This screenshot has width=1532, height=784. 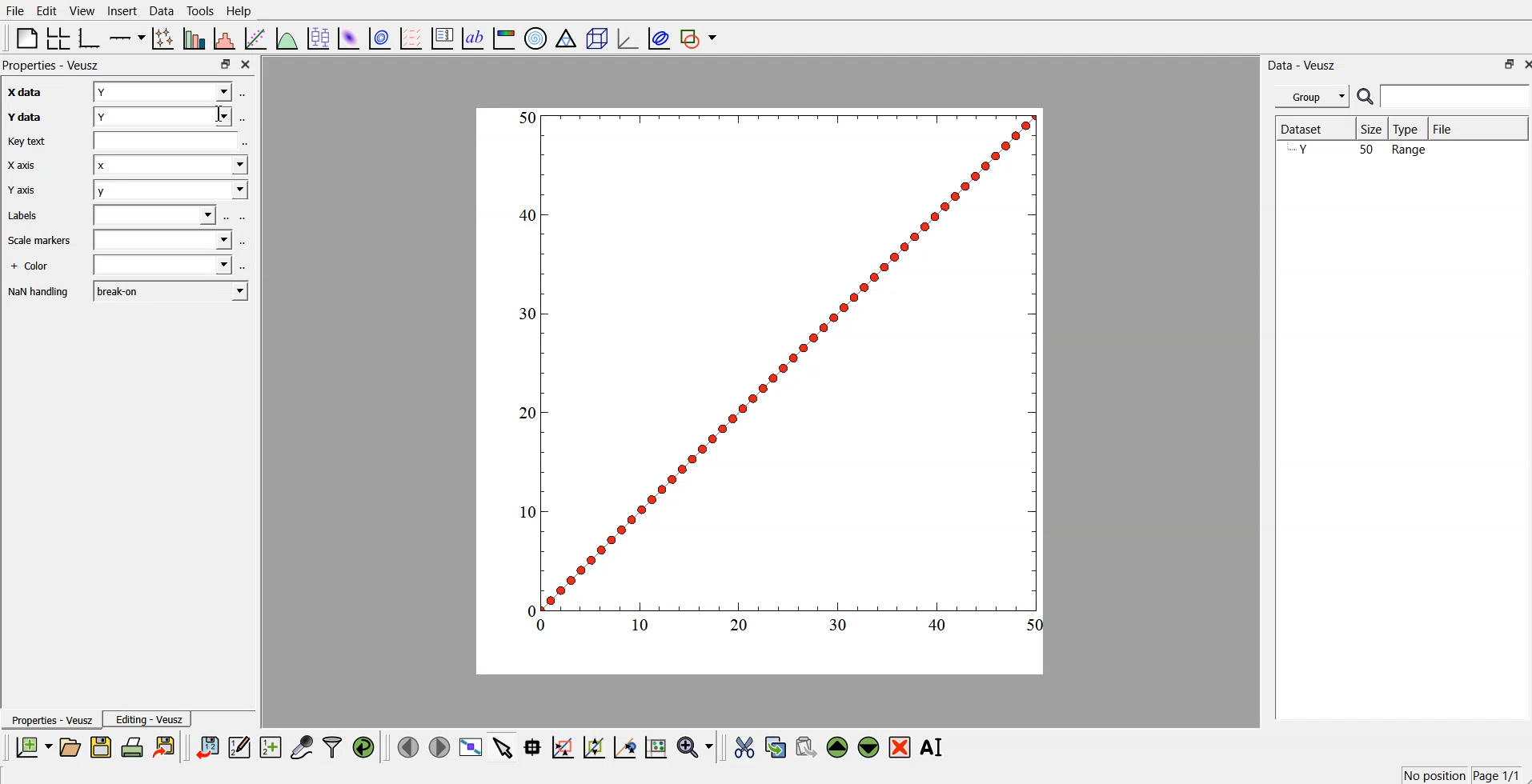 I want to click on Group , so click(x=1313, y=96).